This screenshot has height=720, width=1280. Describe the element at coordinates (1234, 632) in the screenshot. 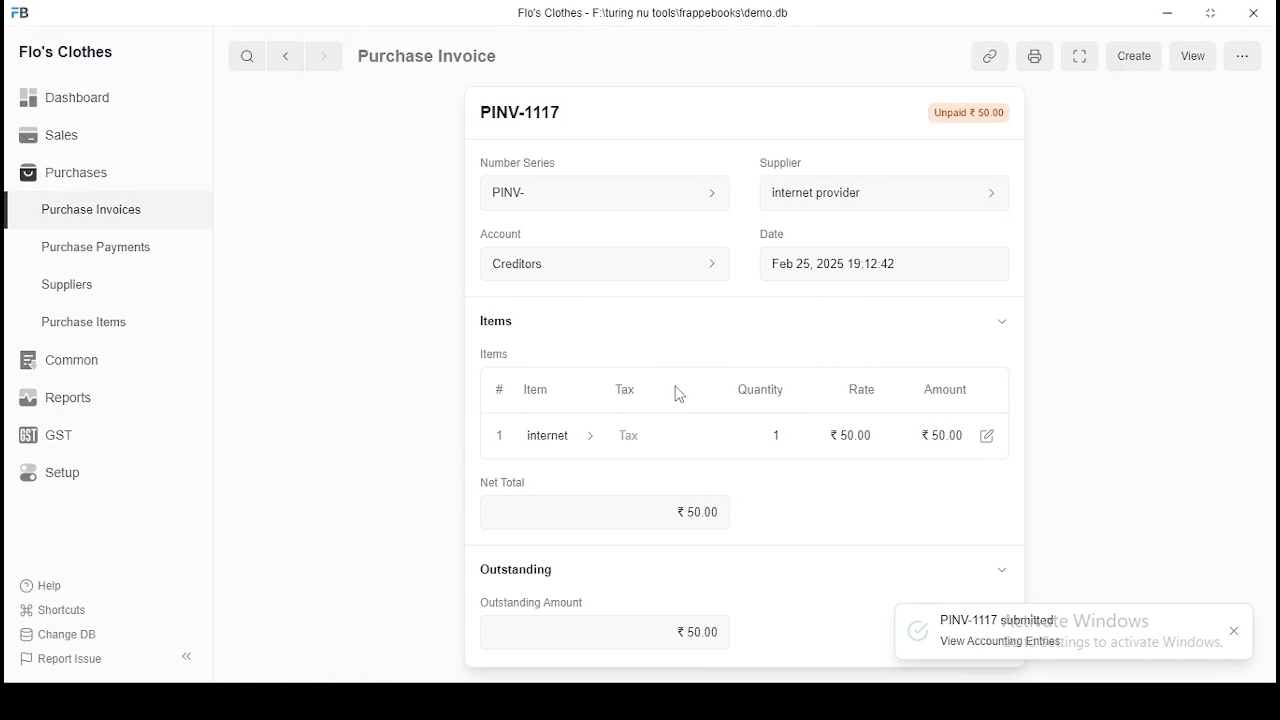

I see `close` at that location.